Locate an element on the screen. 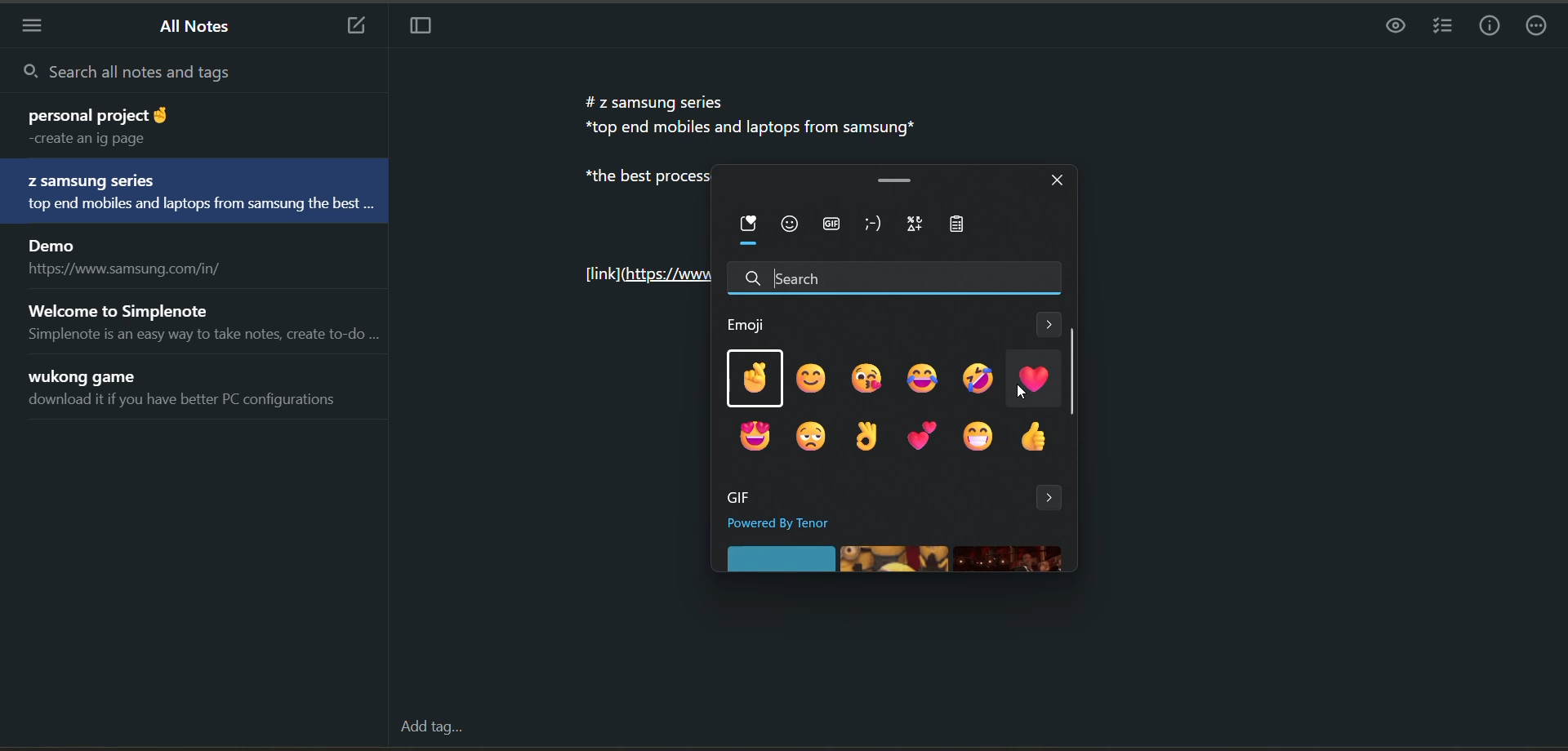 This screenshot has width=1568, height=751. emoji 12 is located at coordinates (1034, 438).